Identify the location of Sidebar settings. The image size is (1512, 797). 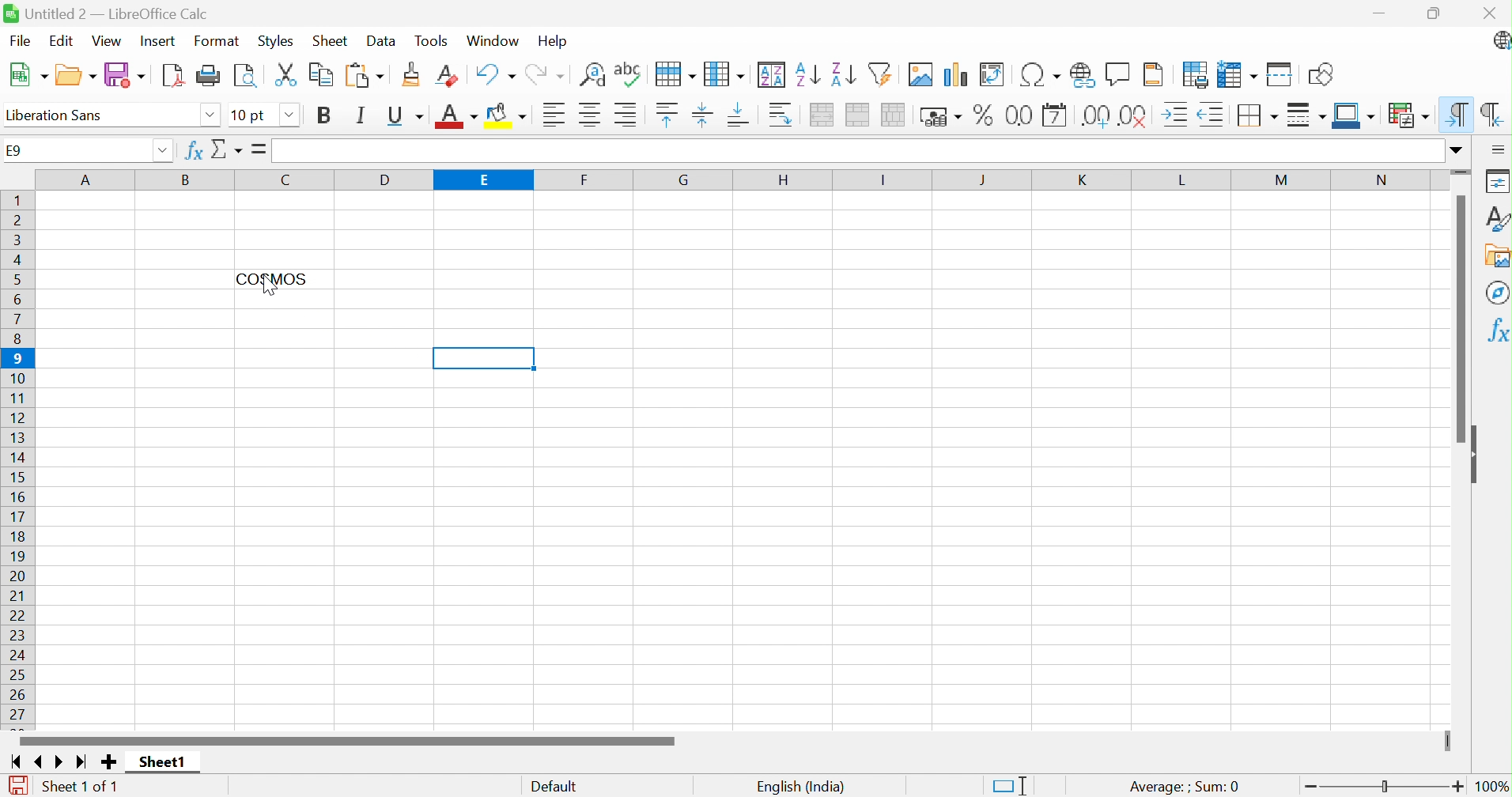
(1498, 149).